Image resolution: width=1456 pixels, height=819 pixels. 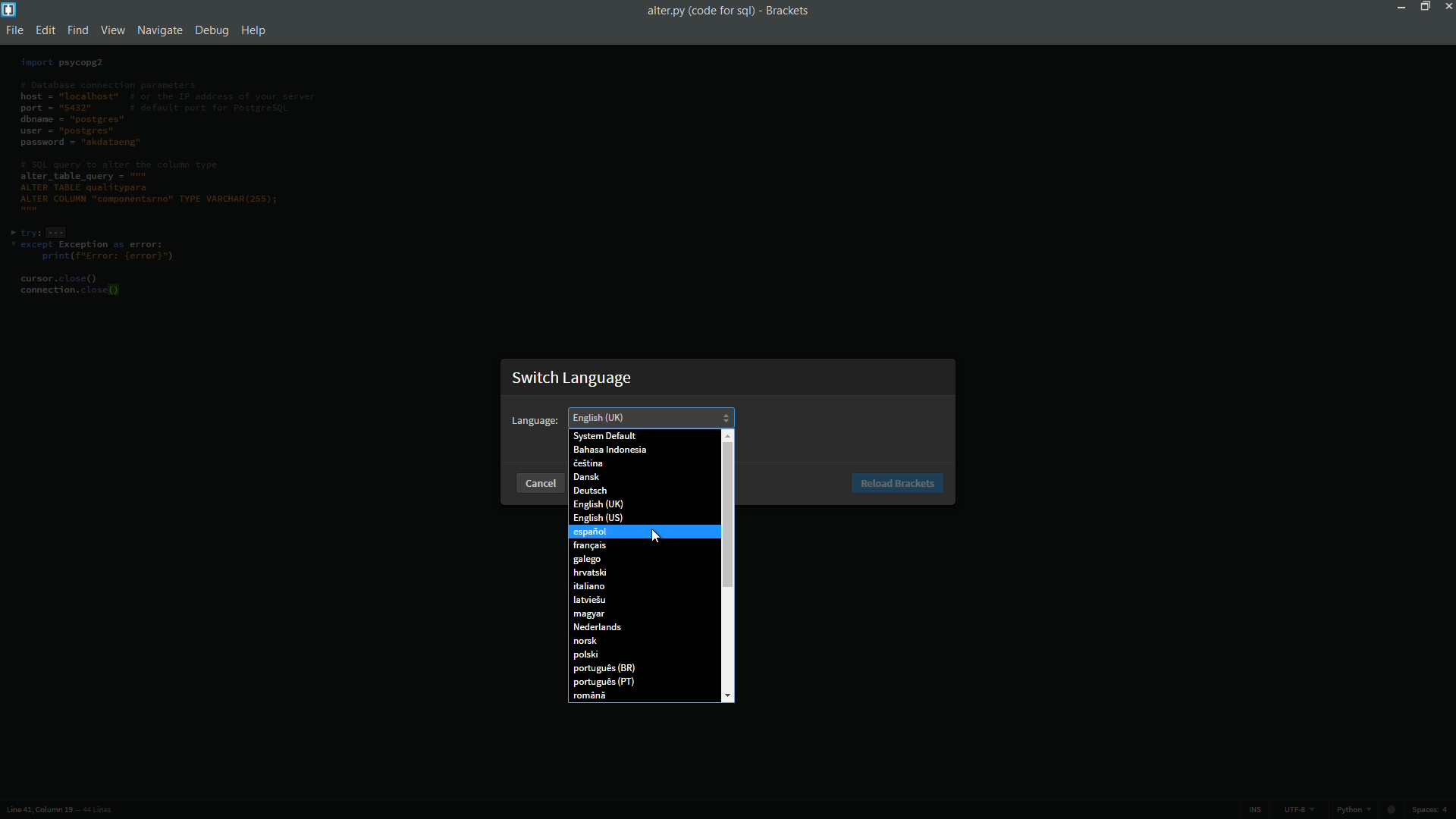 I want to click on polski, so click(x=644, y=655).